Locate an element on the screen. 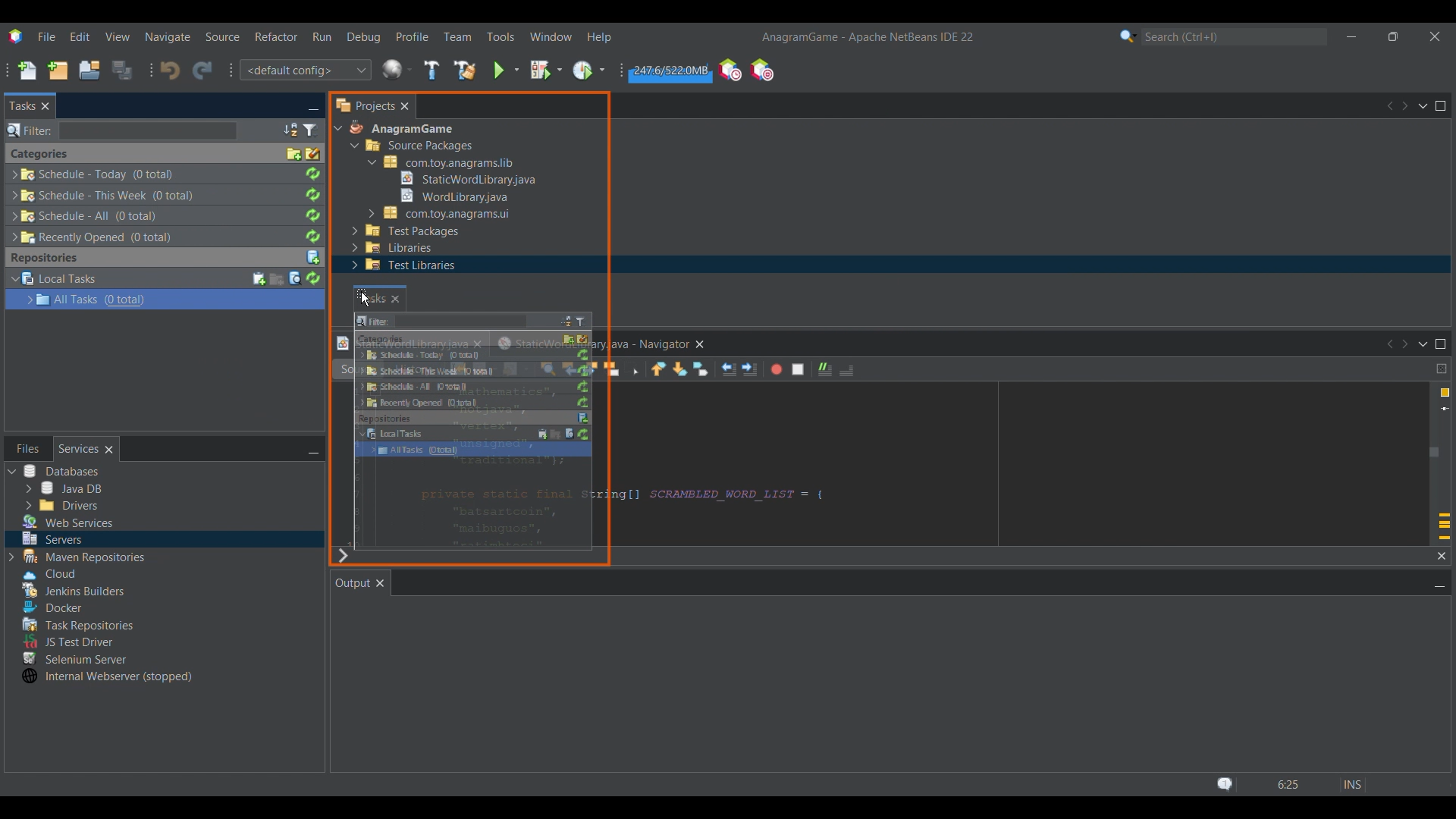 The width and height of the screenshot is (1456, 819). Debug main project settings is located at coordinates (546, 70).